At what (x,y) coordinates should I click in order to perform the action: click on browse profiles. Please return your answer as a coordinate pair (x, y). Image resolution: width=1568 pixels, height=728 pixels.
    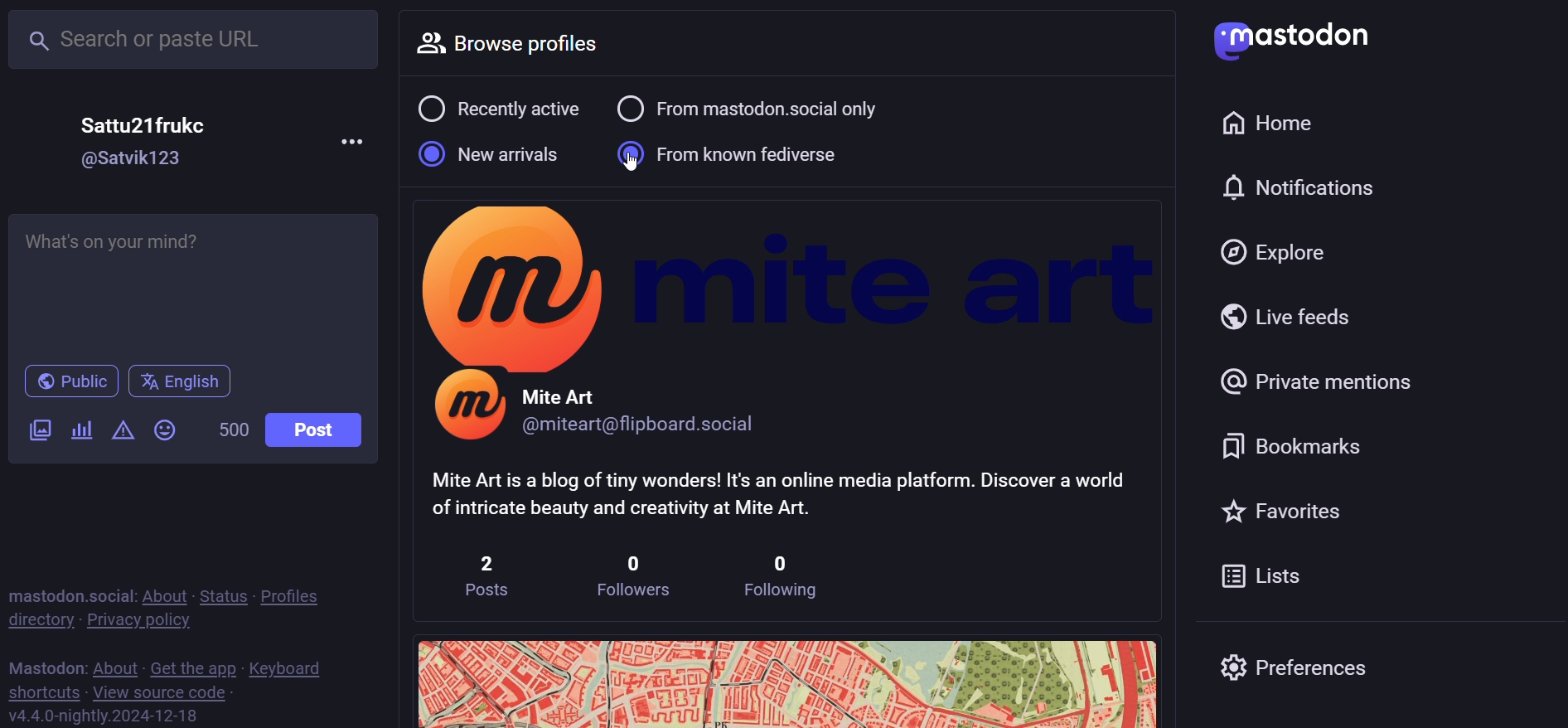
    Looking at the image, I should click on (530, 44).